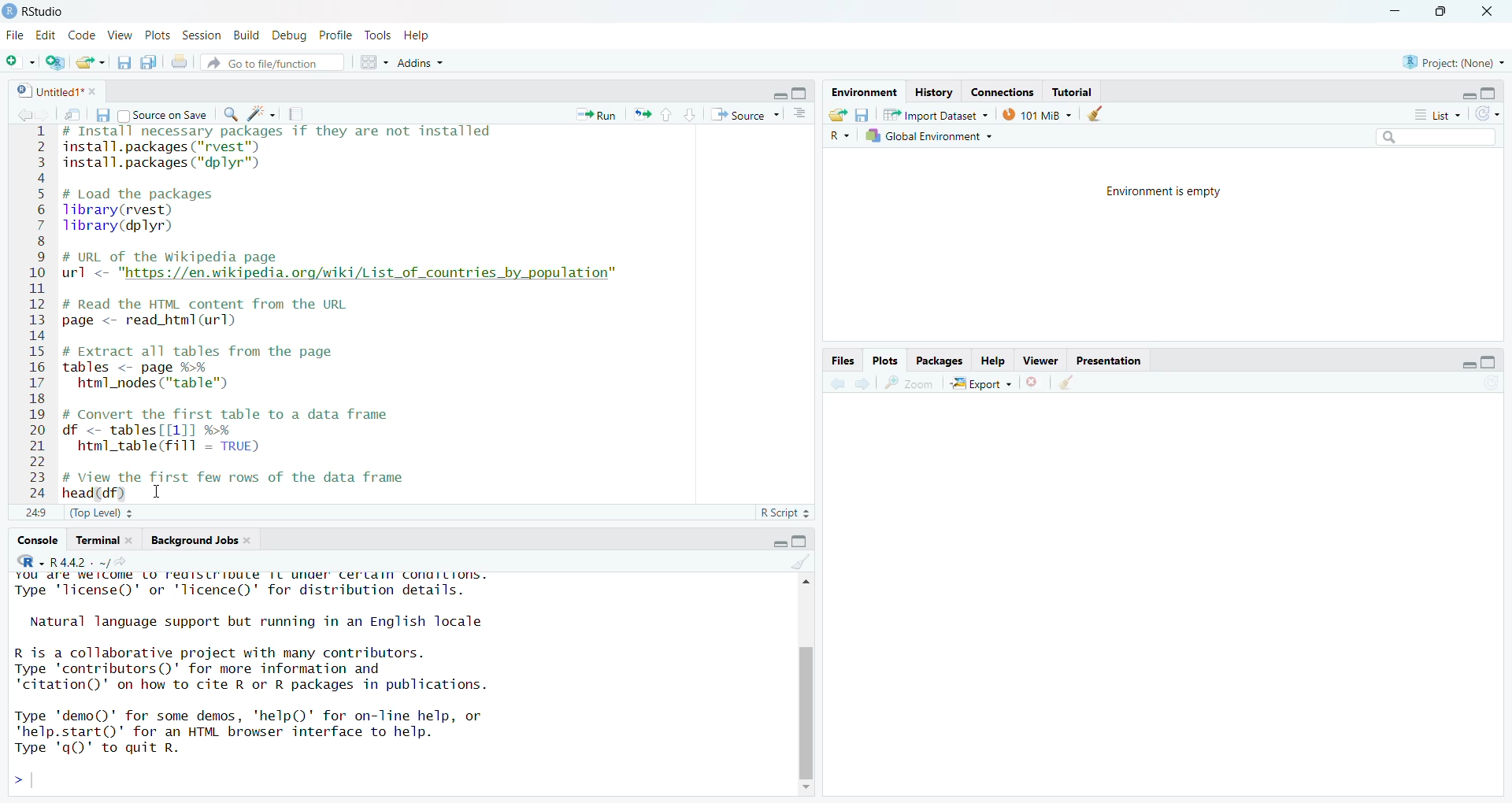  What do you see at coordinates (939, 361) in the screenshot?
I see `Packages` at bounding box center [939, 361].